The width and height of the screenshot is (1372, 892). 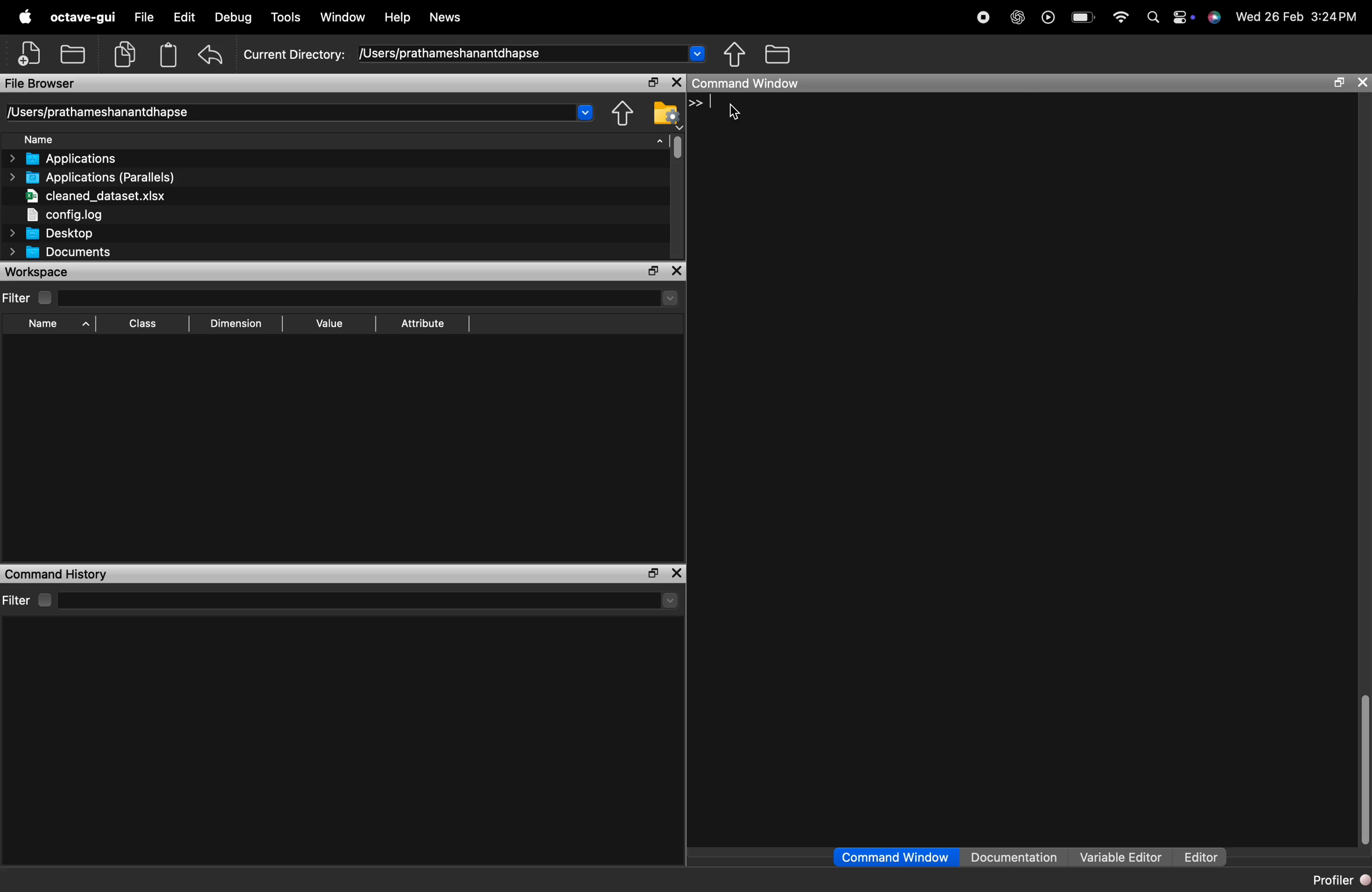 I want to click on config.log, so click(x=92, y=213).